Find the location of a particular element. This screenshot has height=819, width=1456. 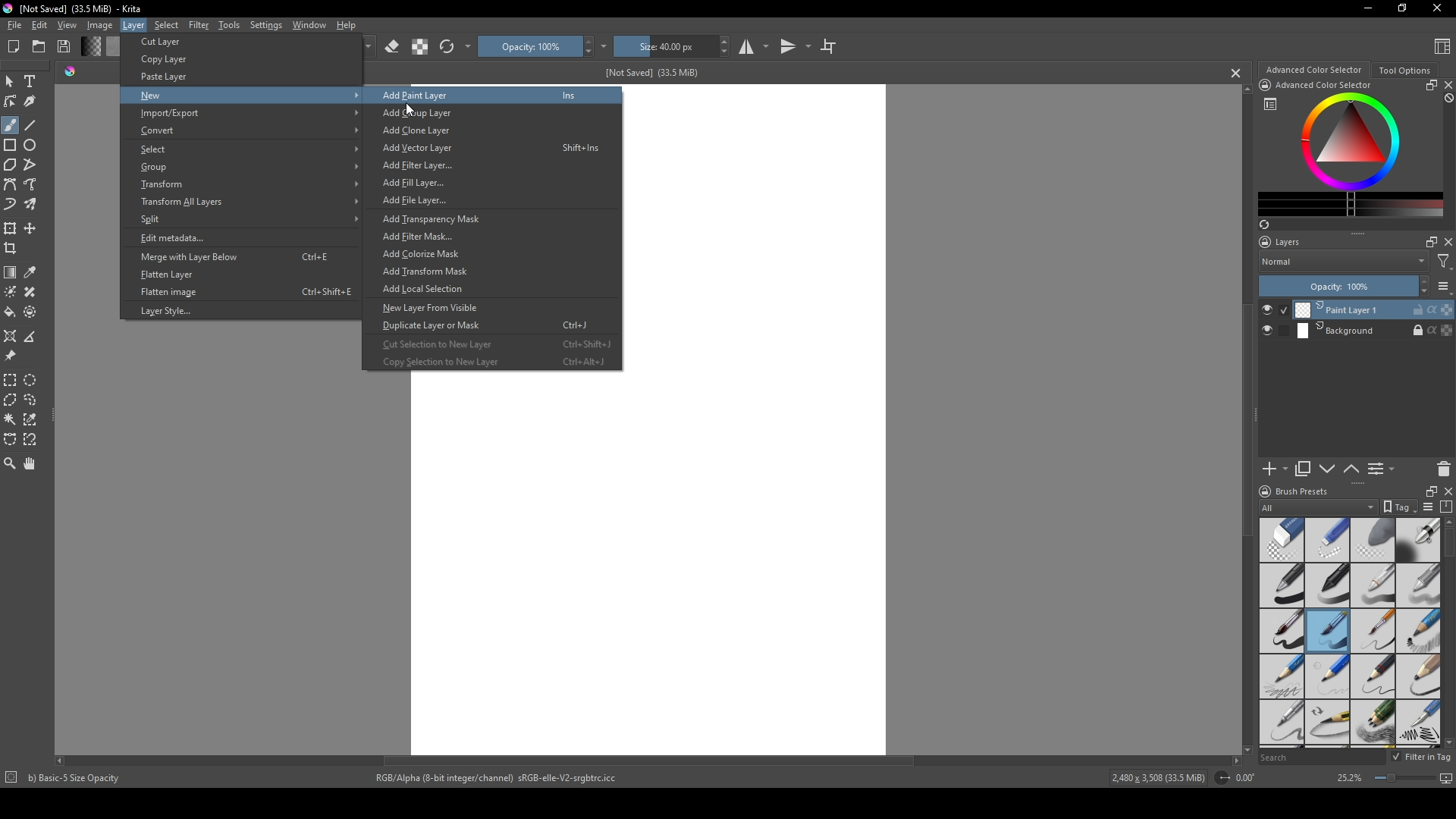

Normal is located at coordinates (1344, 261).